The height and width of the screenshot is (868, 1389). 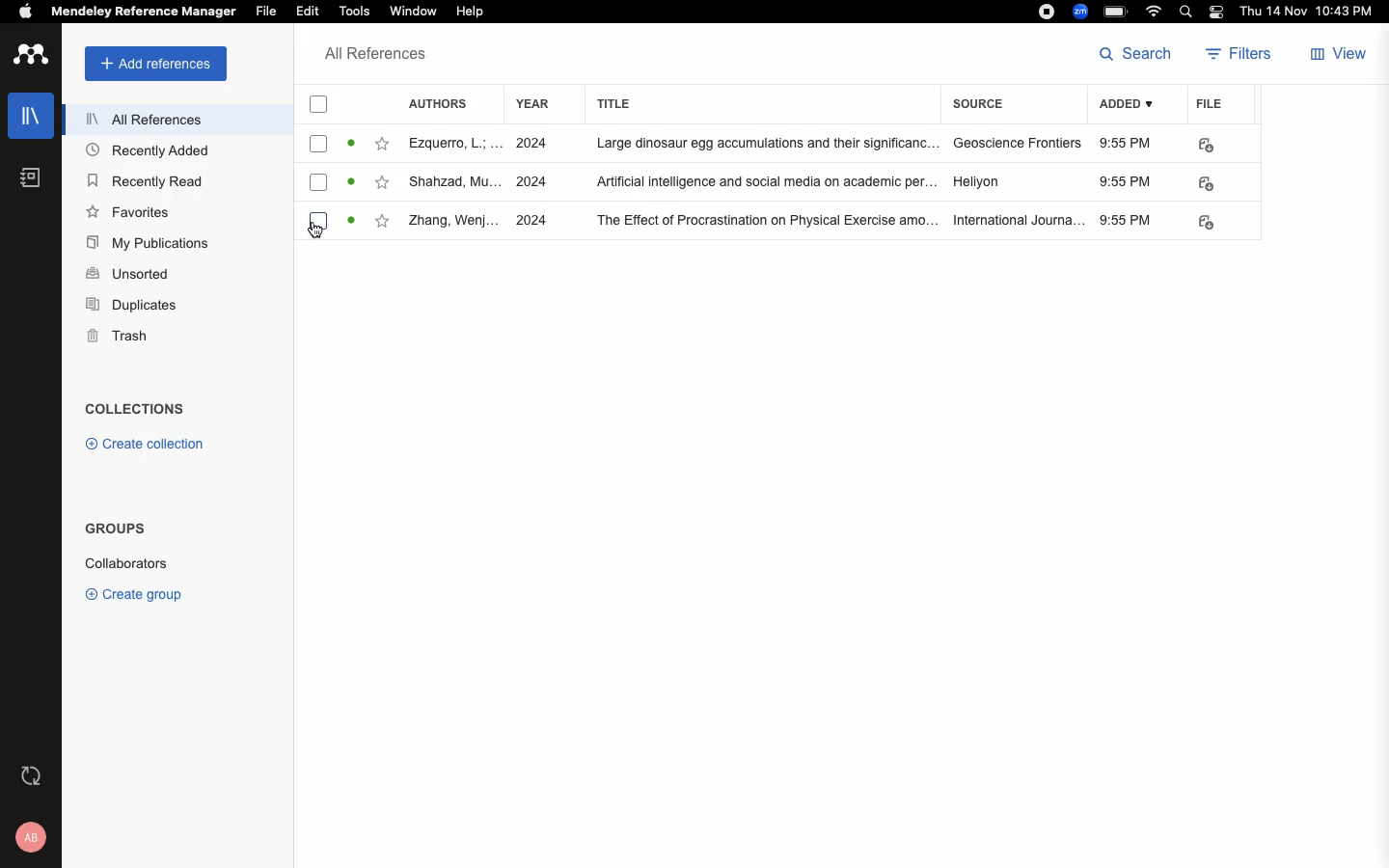 What do you see at coordinates (1019, 220) in the screenshot?
I see `International journal` at bounding box center [1019, 220].